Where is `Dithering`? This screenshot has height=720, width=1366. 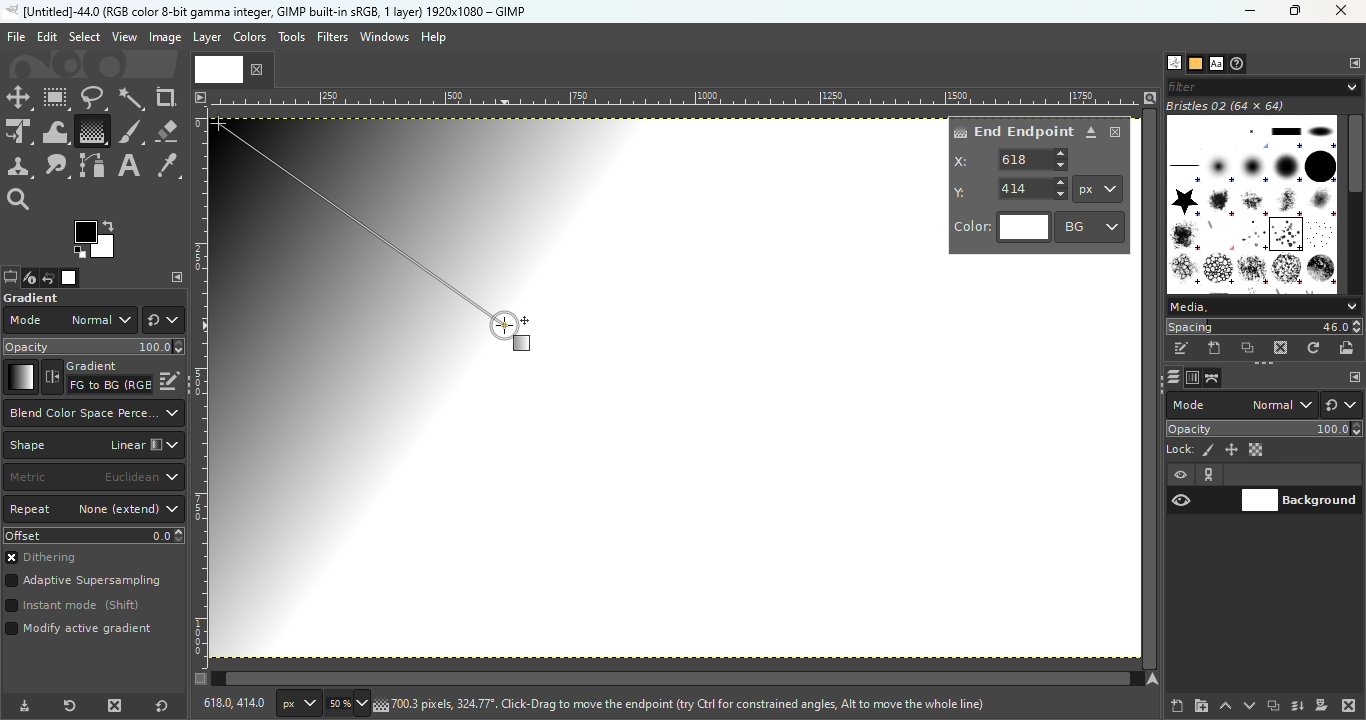
Dithering is located at coordinates (49, 559).